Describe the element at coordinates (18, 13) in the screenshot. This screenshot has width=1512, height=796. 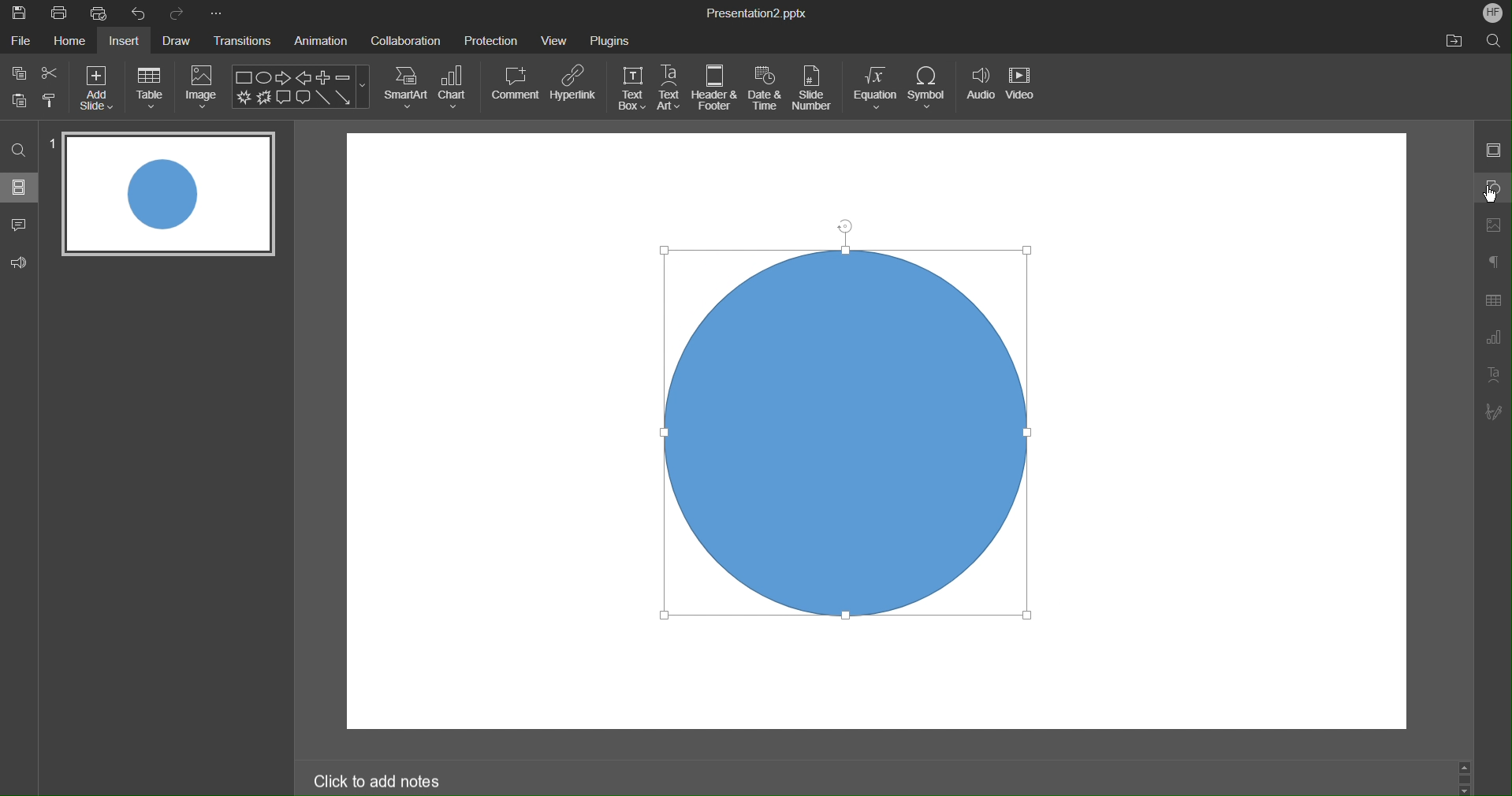
I see `Save` at that location.